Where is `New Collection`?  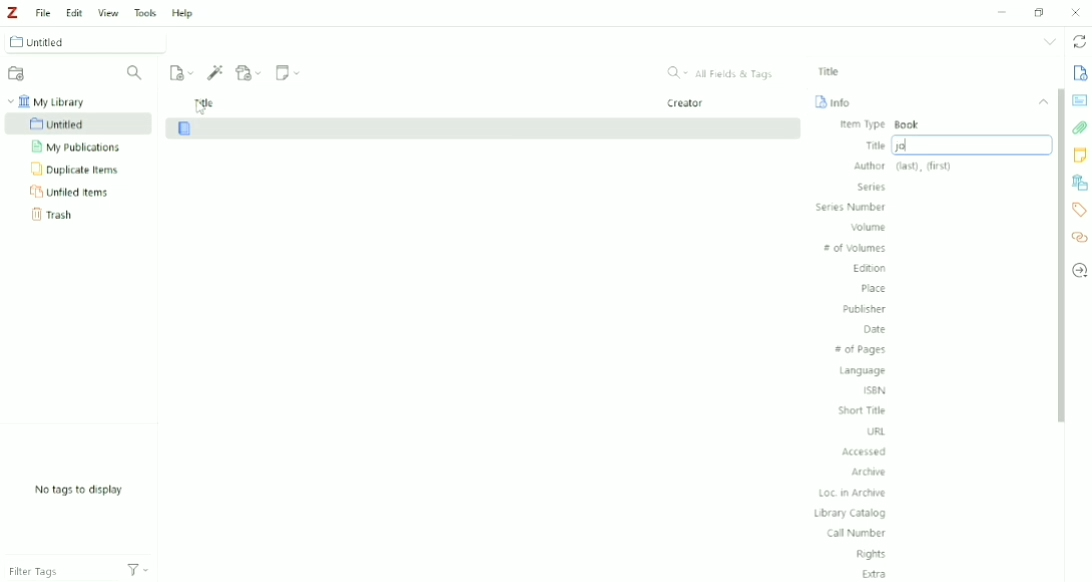 New Collection is located at coordinates (18, 74).